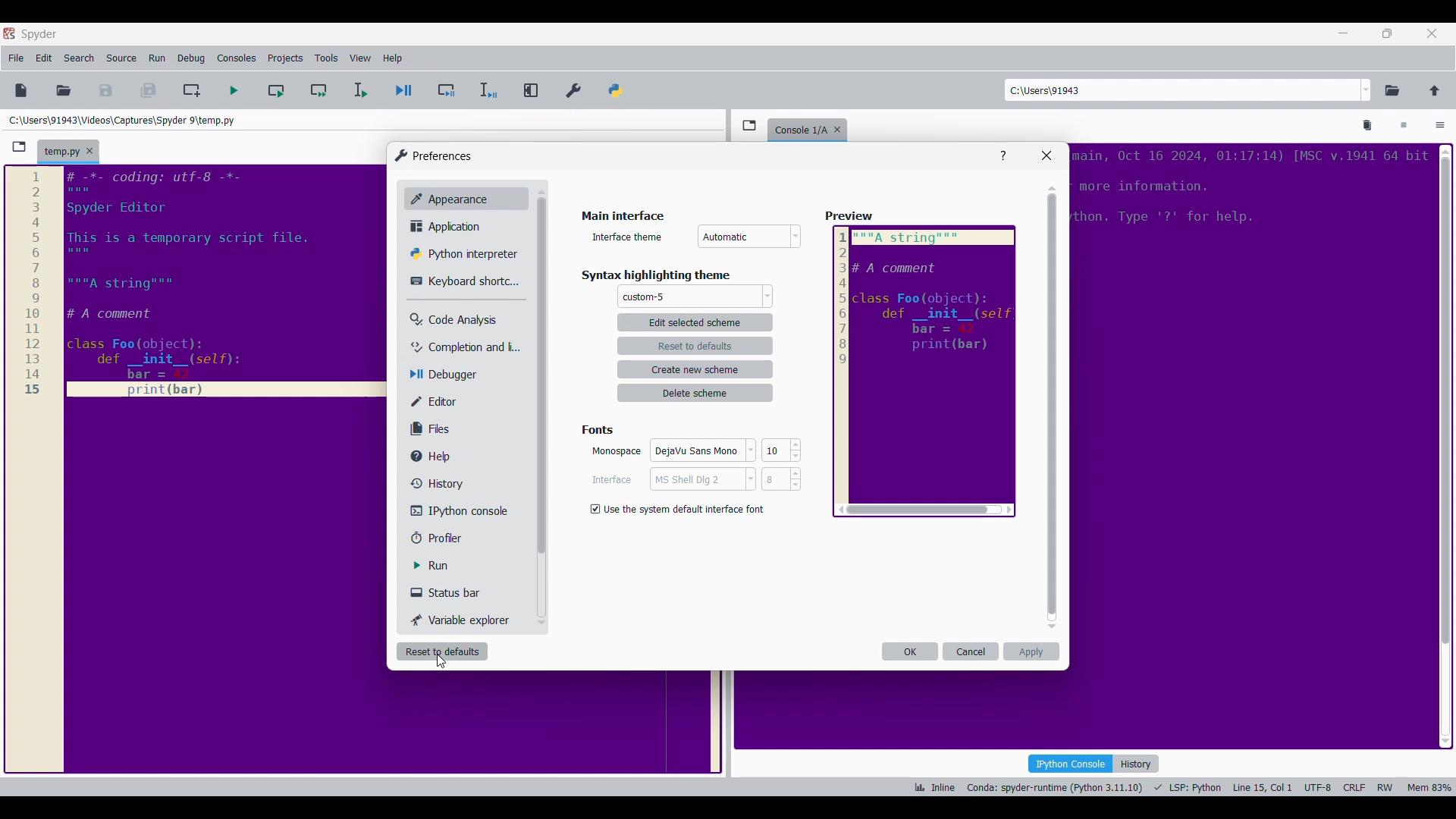 This screenshot has height=819, width=1456. What do you see at coordinates (930, 786) in the screenshot?
I see `ik Inline` at bounding box center [930, 786].